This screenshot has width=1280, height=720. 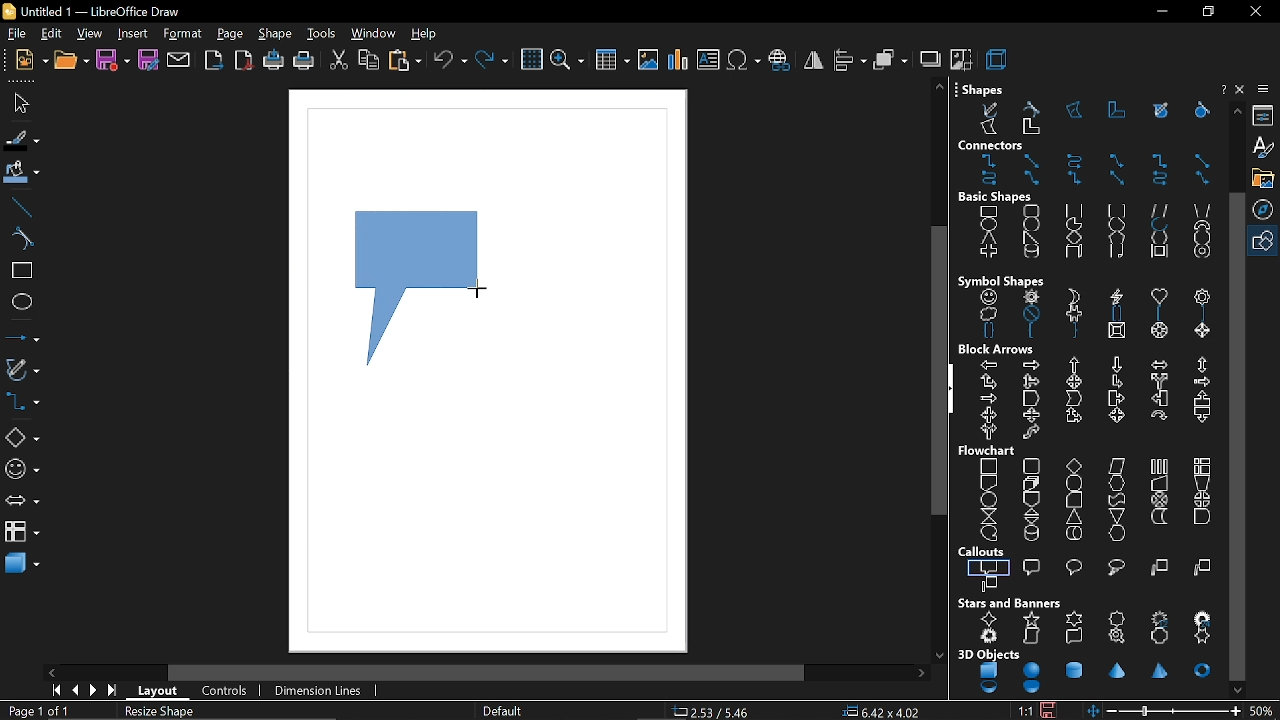 I want to click on fit to window, so click(x=1095, y=711).